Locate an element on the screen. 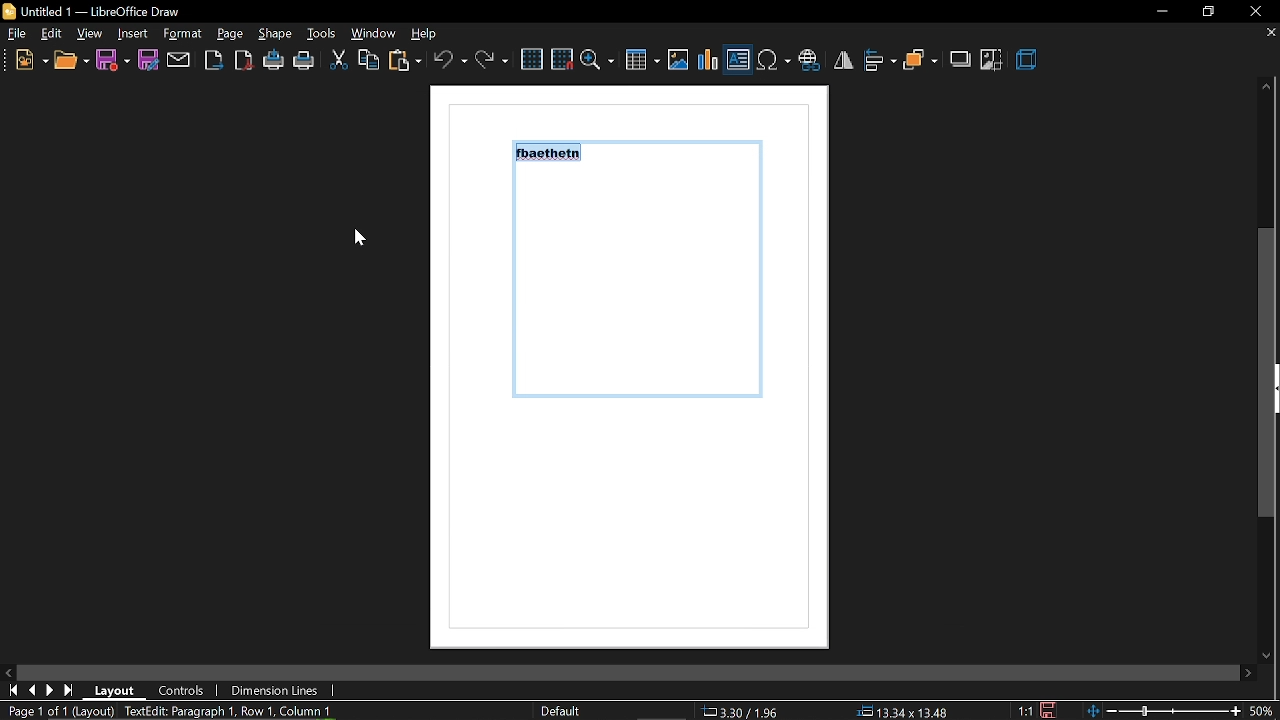 This screenshot has height=720, width=1280. export as pdf is located at coordinates (243, 60).